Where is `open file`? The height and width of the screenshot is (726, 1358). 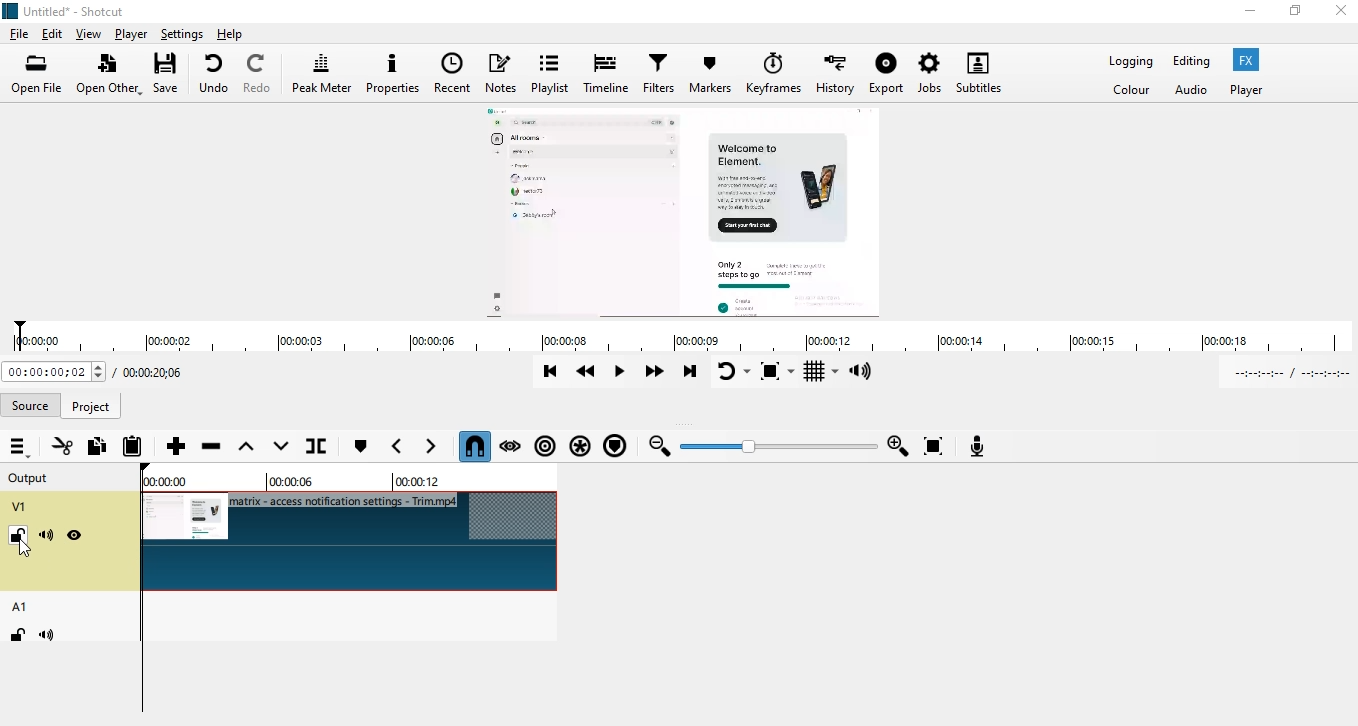
open file is located at coordinates (37, 72).